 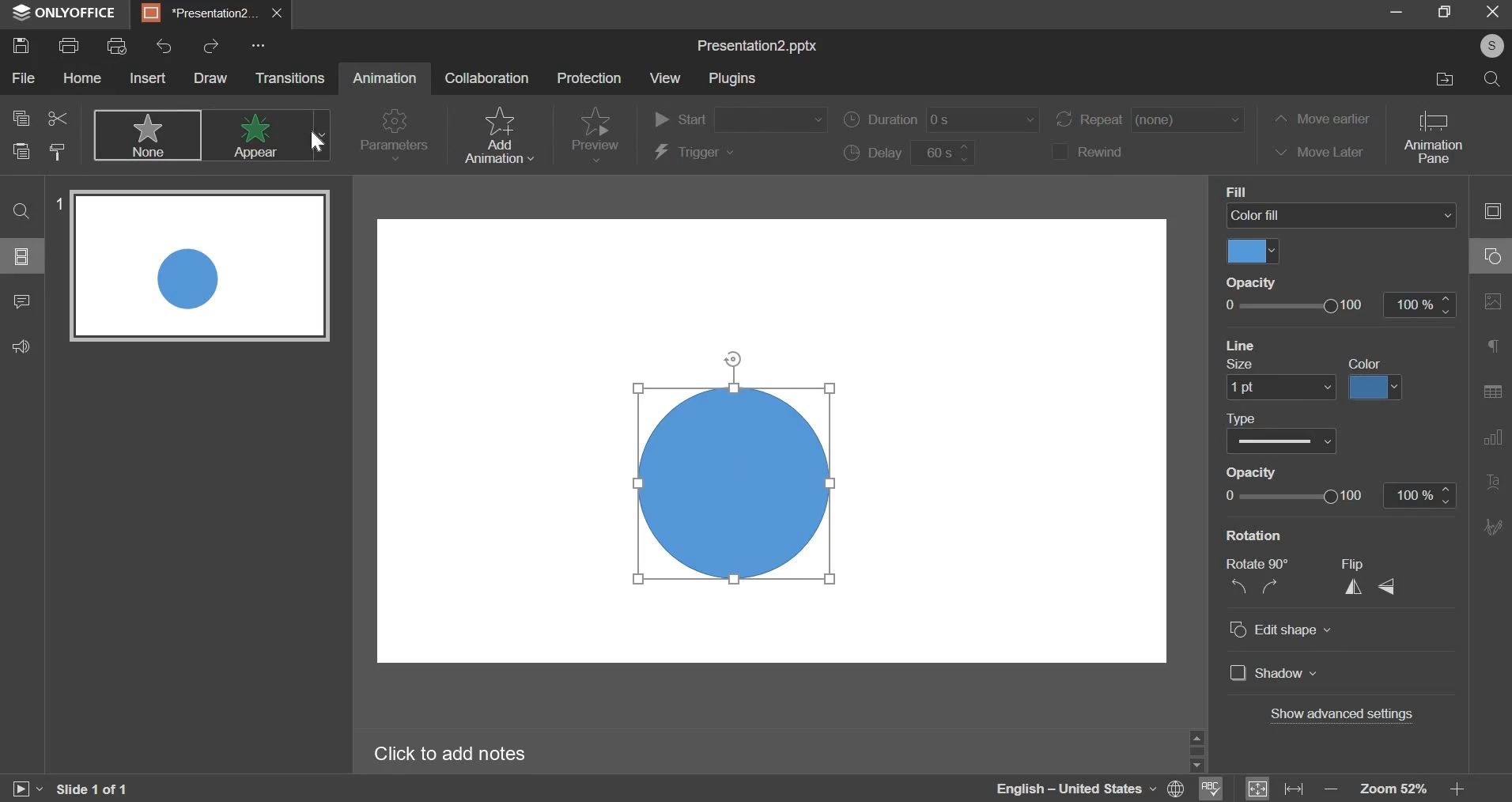 What do you see at coordinates (1259, 191) in the screenshot?
I see `Background` at bounding box center [1259, 191].